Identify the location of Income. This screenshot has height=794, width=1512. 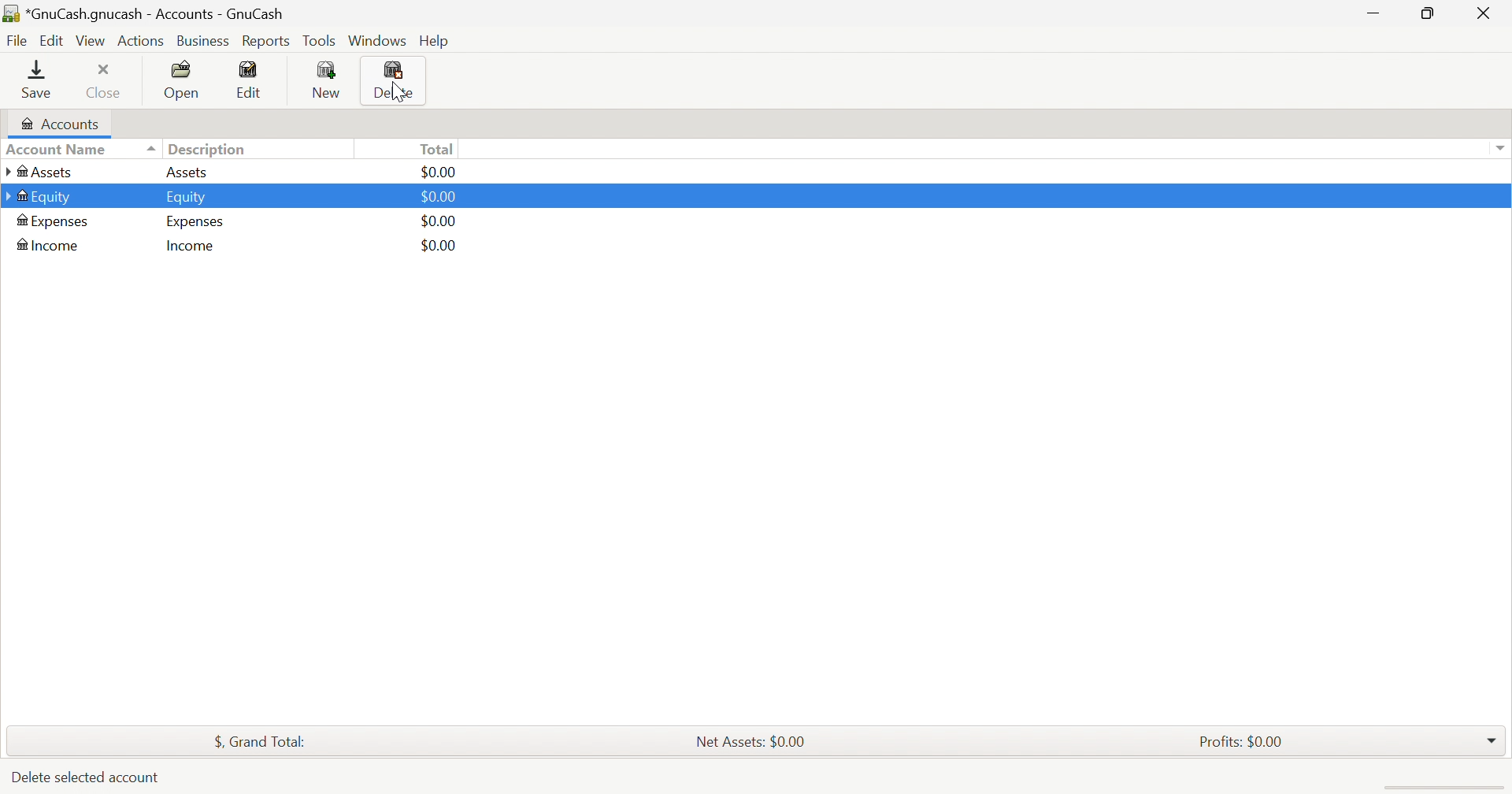
(51, 247).